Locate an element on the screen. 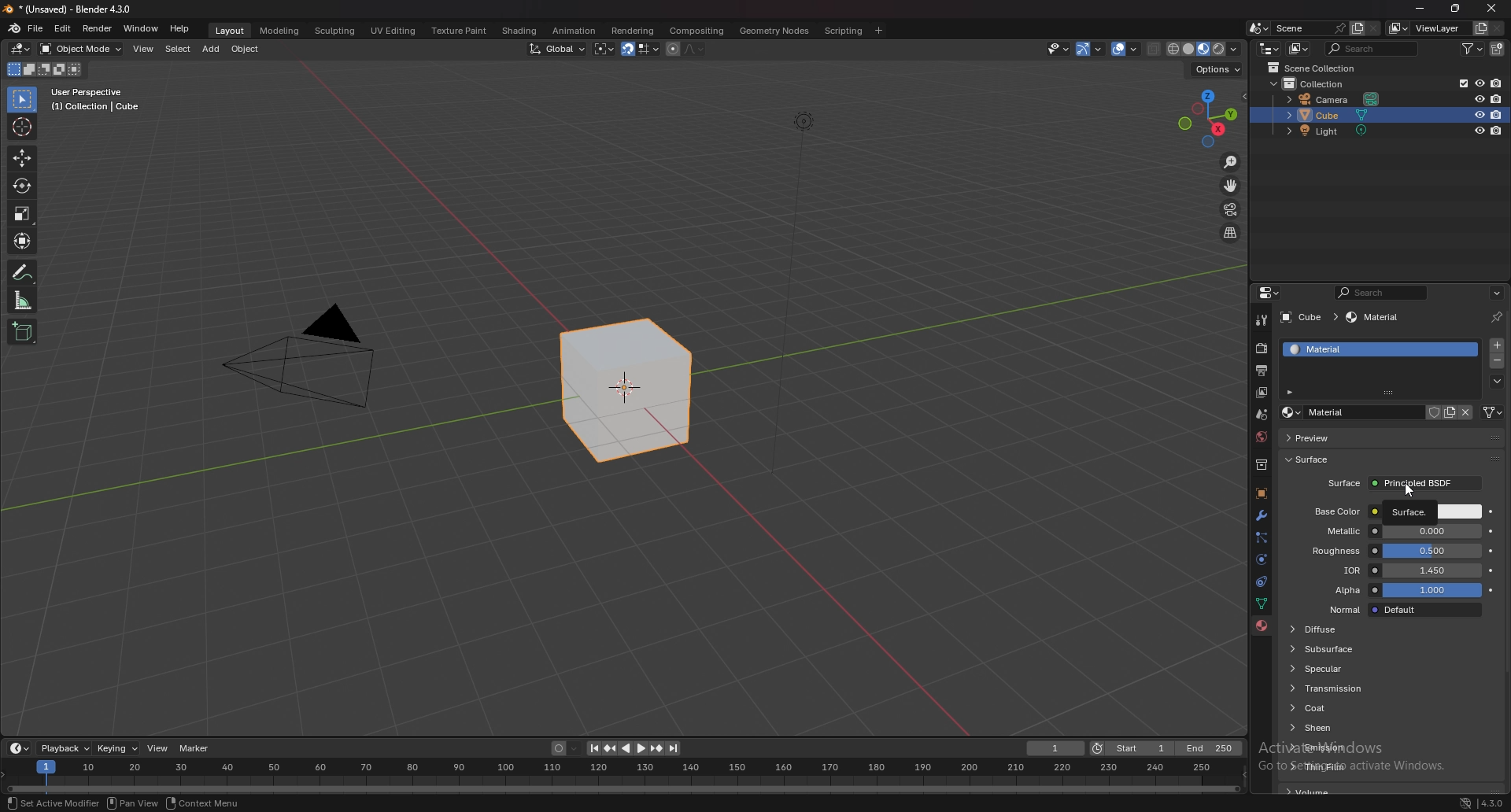  play animation is located at coordinates (633, 748).